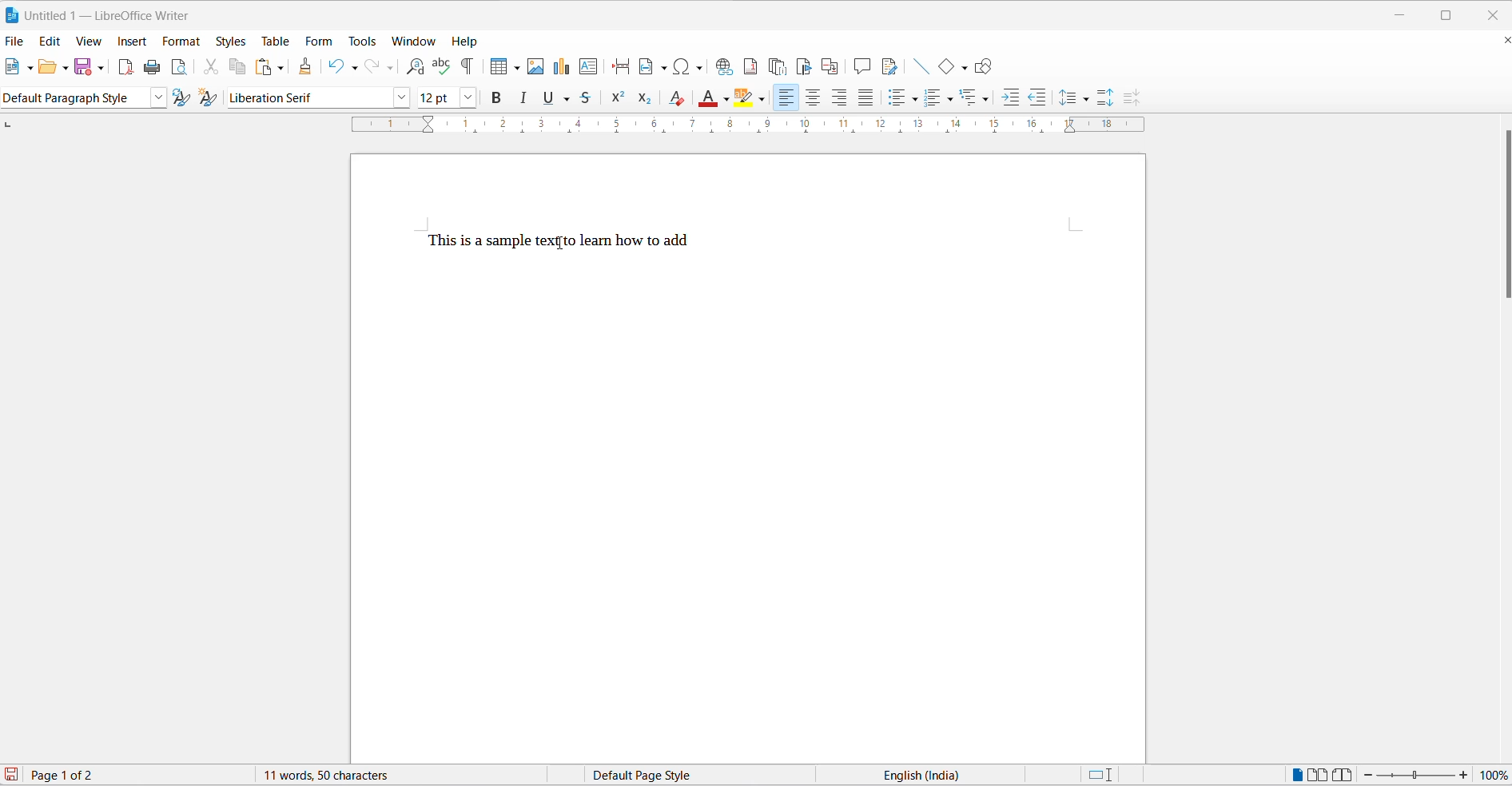 This screenshot has height=786, width=1512. Describe the element at coordinates (1502, 215) in the screenshot. I see `vertical scrollbar` at that location.